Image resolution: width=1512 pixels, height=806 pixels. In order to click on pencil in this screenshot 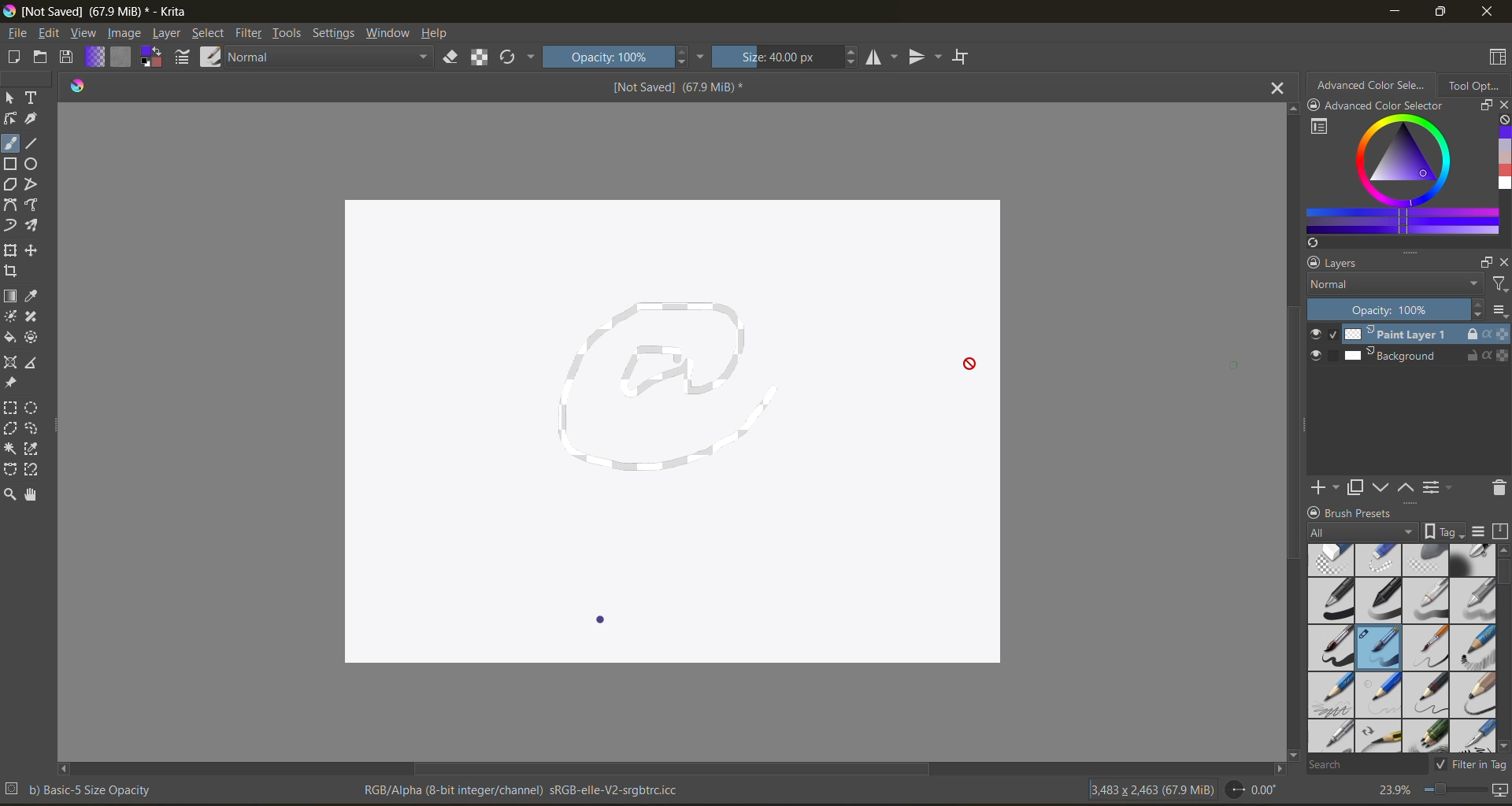, I will do `click(1377, 695)`.